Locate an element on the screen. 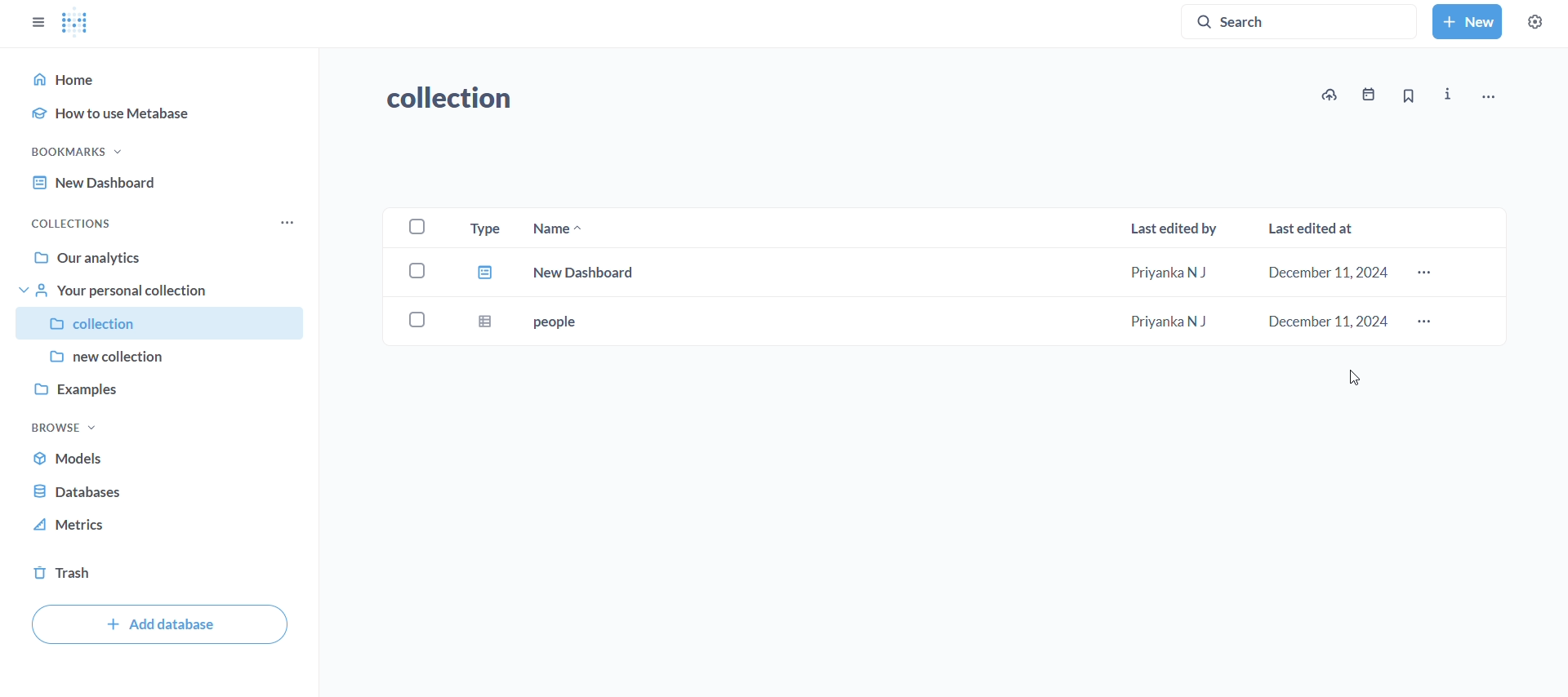 The height and width of the screenshot is (697, 1568). new collection is located at coordinates (150, 358).